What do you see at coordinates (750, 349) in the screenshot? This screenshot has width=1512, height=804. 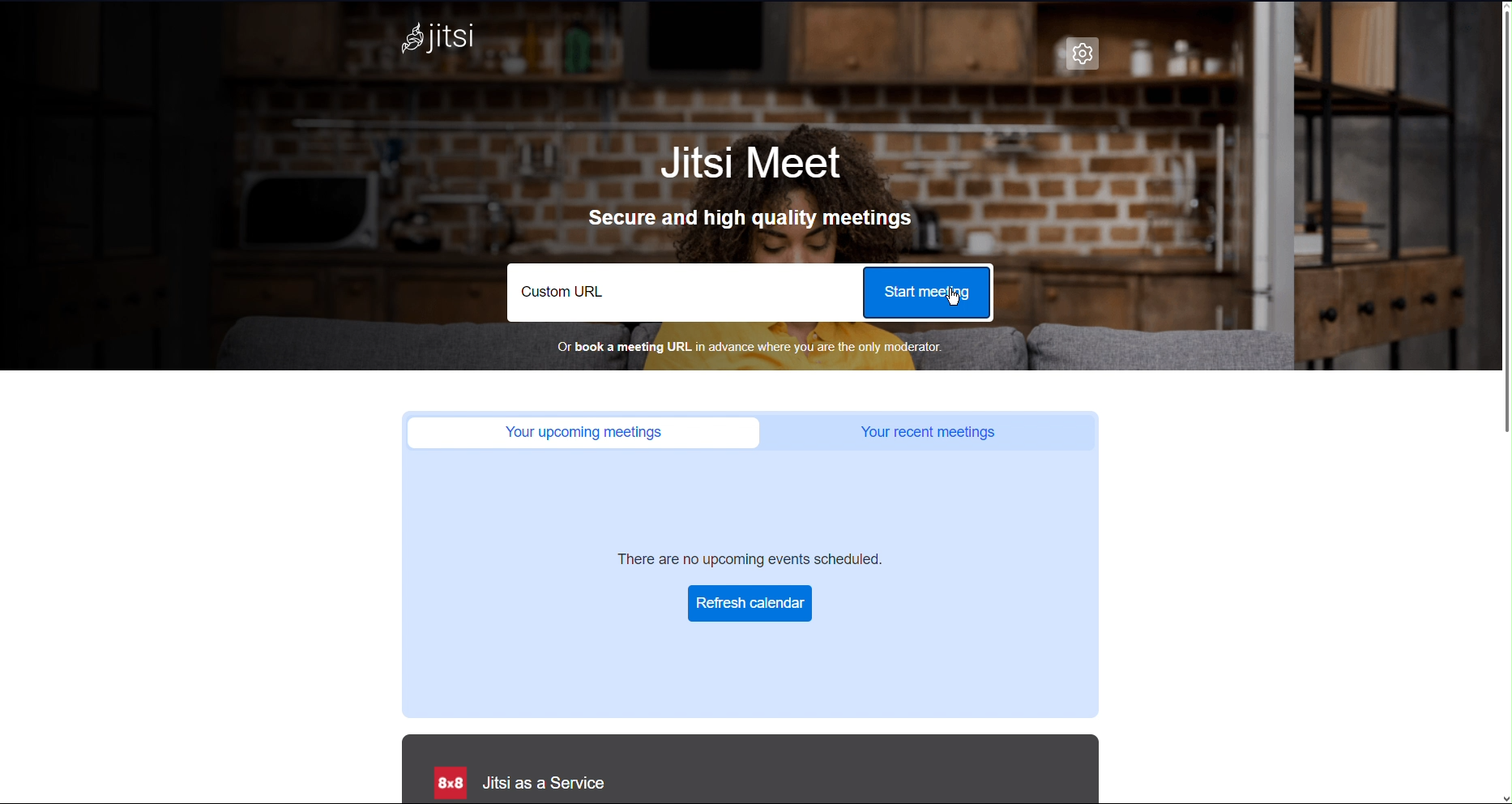 I see `Book a meeting URL in advance where you are the only moderator` at bounding box center [750, 349].